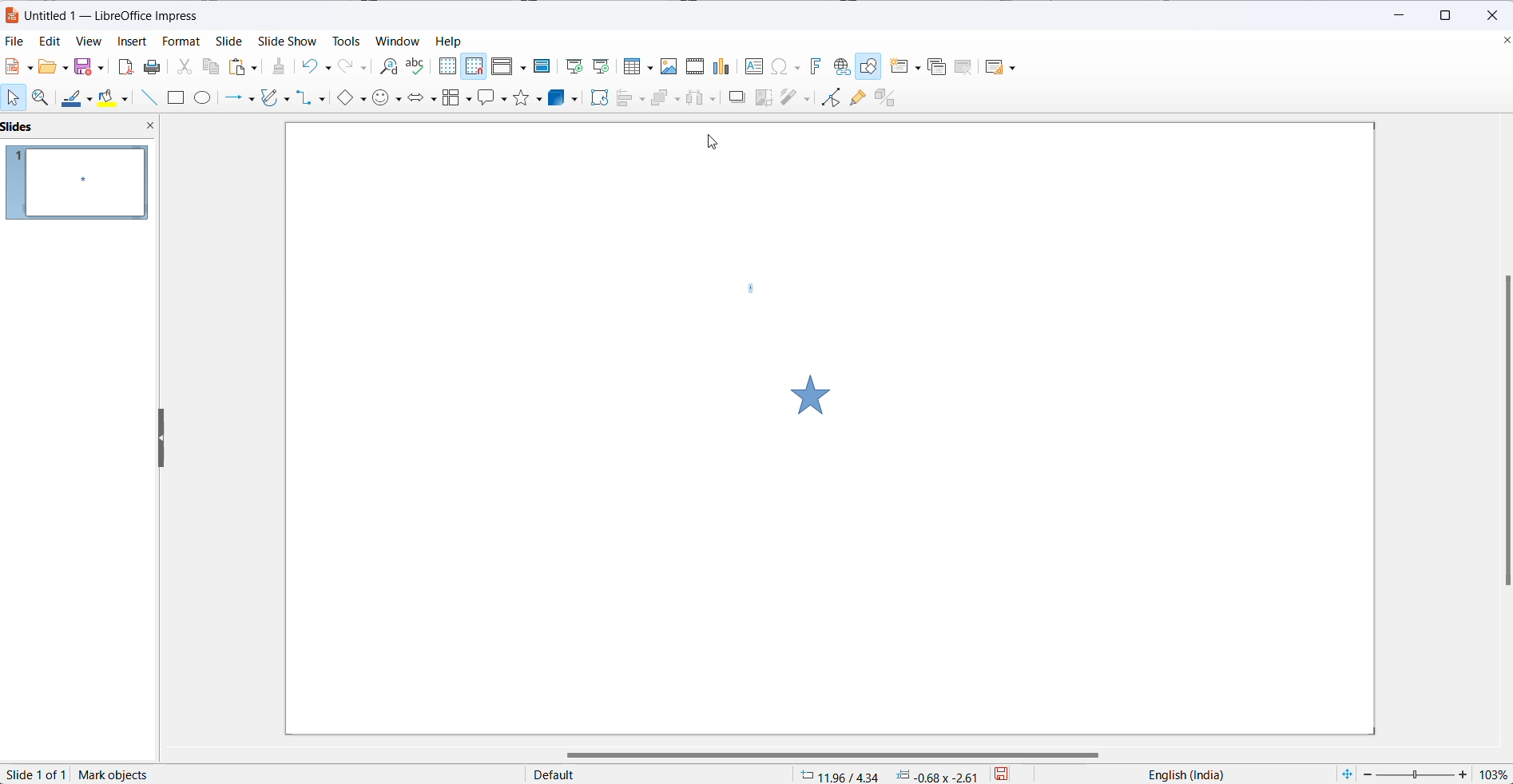  Describe the element at coordinates (600, 99) in the screenshot. I see `rotate` at that location.